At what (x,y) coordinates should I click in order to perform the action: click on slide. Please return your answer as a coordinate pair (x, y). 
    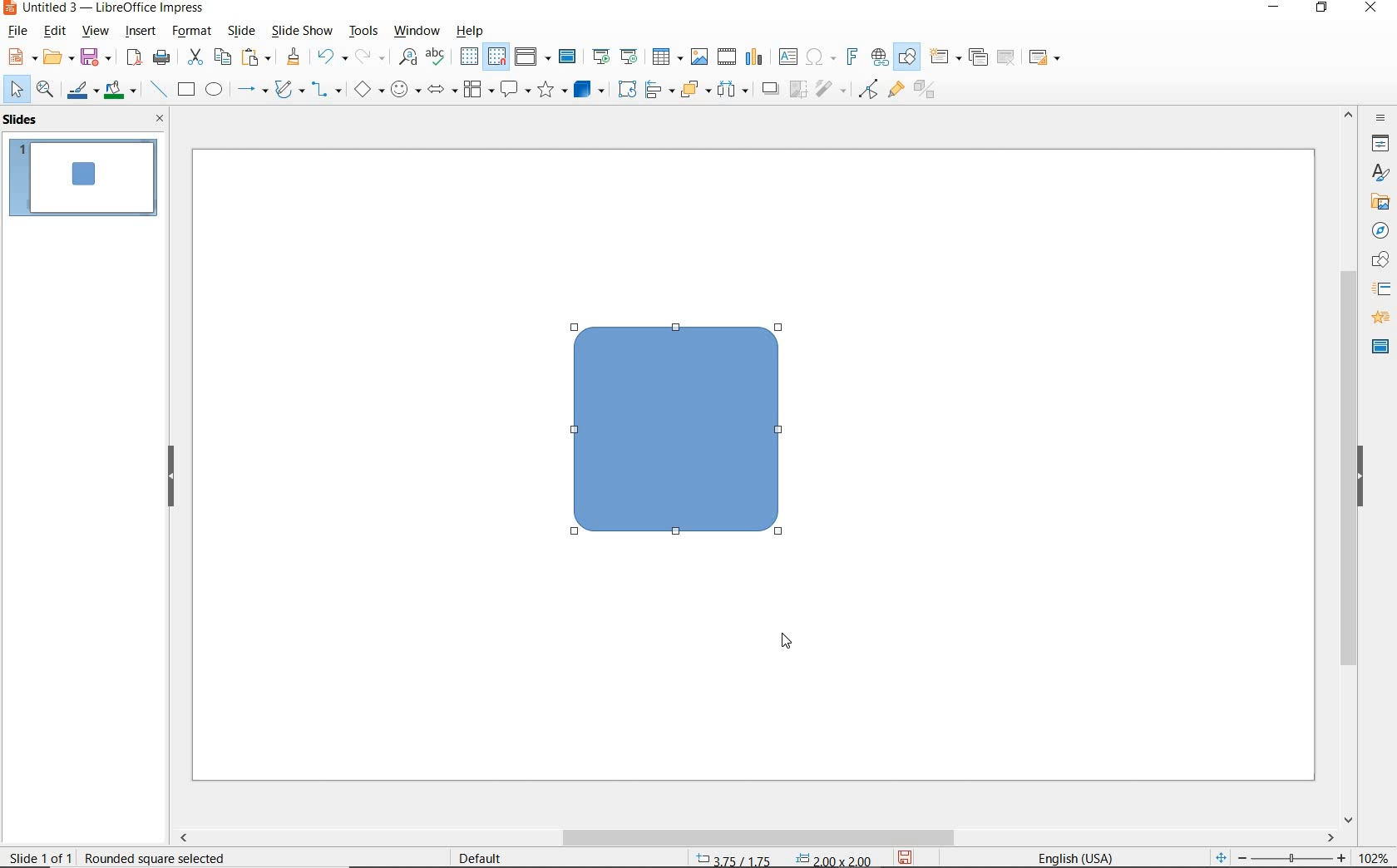
    Looking at the image, I should click on (241, 32).